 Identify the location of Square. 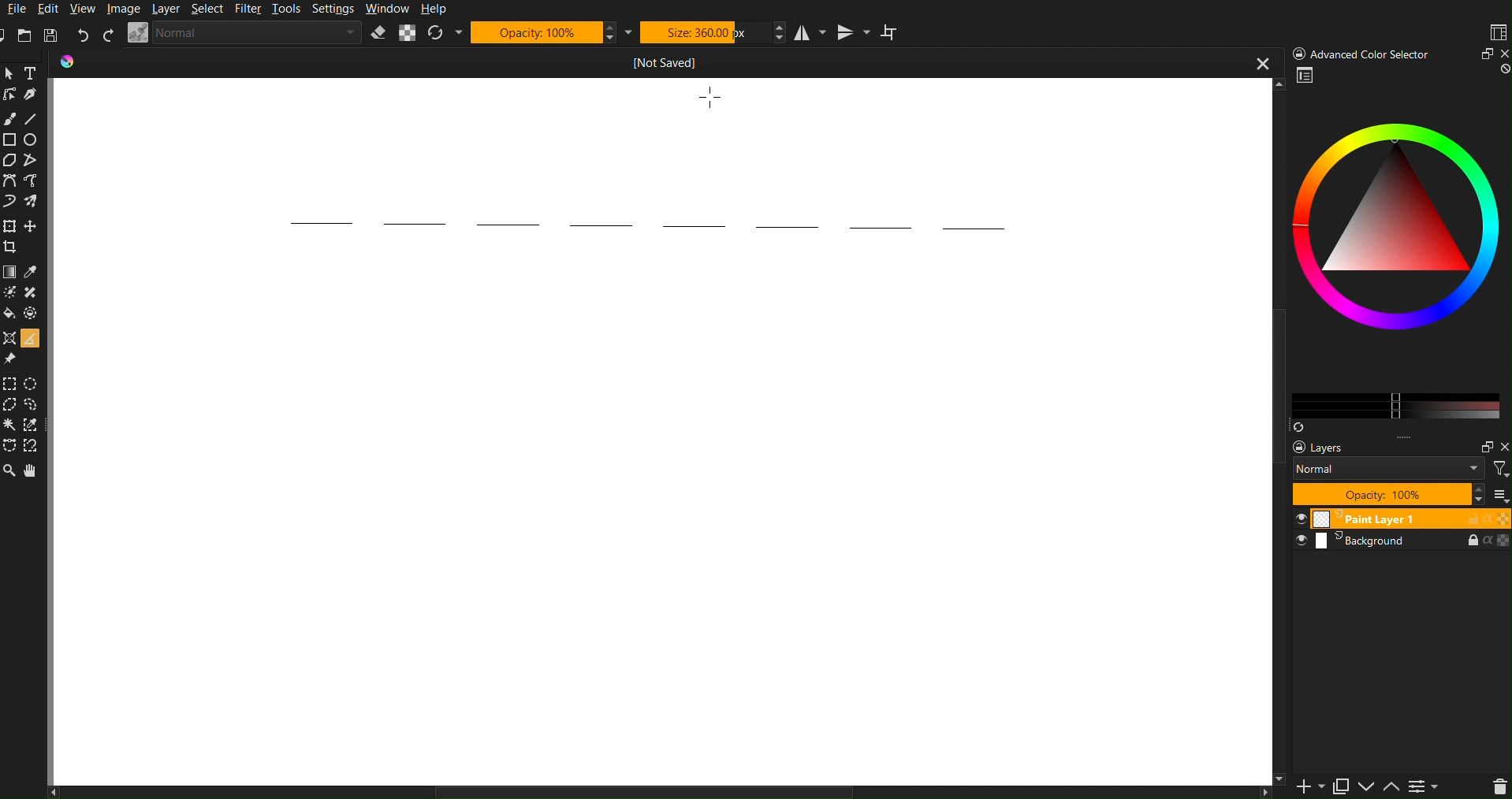
(10, 139).